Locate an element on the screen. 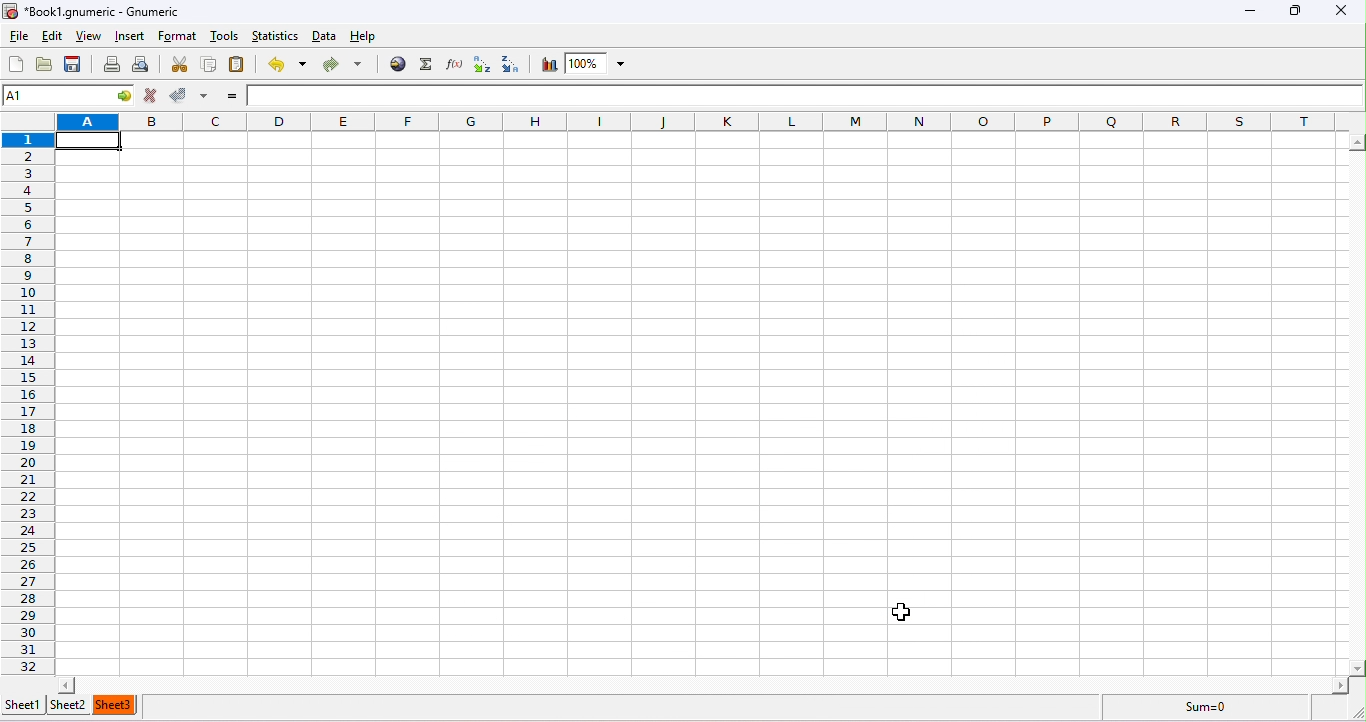 The image size is (1366, 722). cells is located at coordinates (684, 398).